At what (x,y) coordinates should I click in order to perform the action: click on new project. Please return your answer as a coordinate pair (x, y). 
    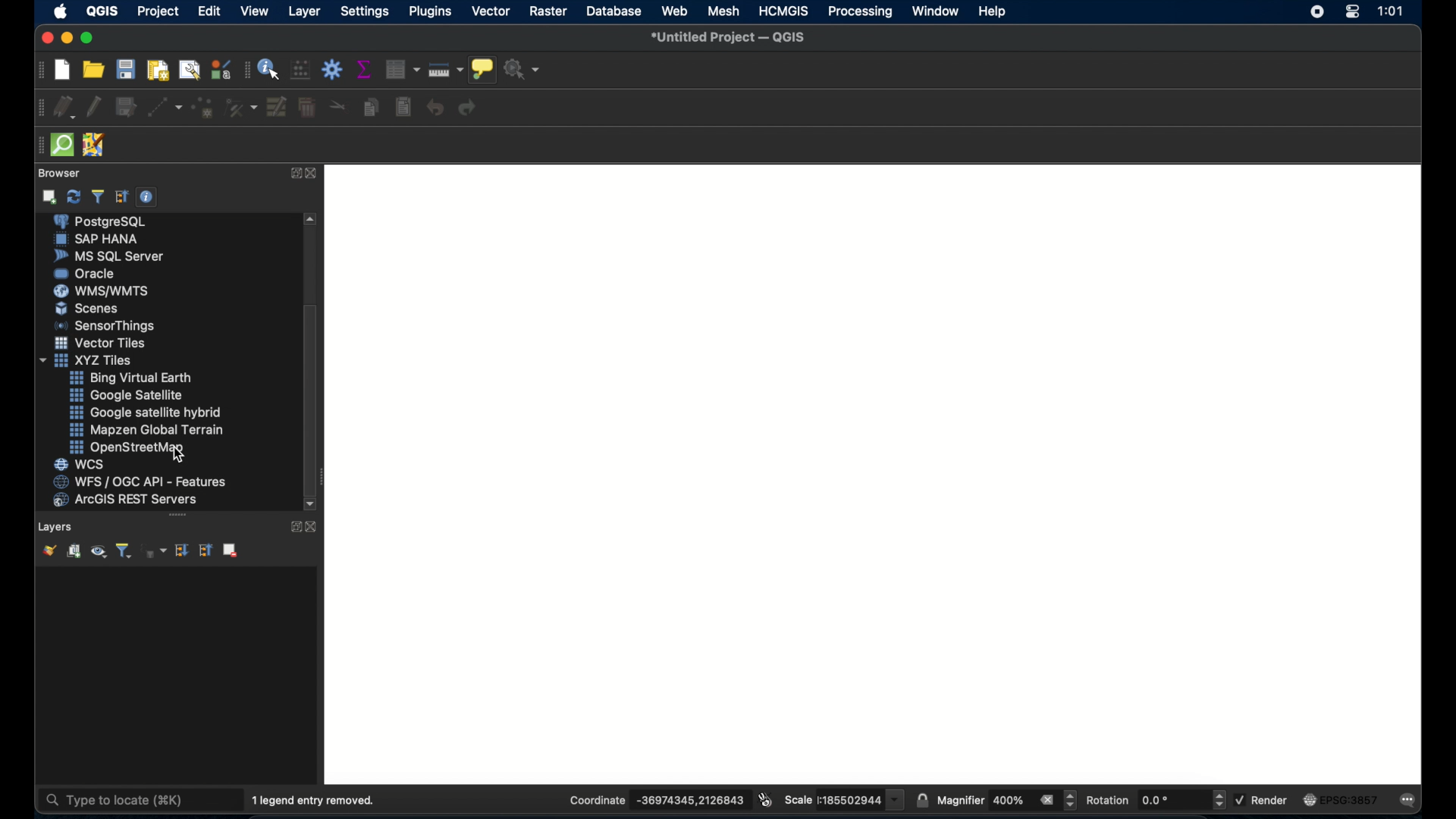
    Looking at the image, I should click on (61, 71).